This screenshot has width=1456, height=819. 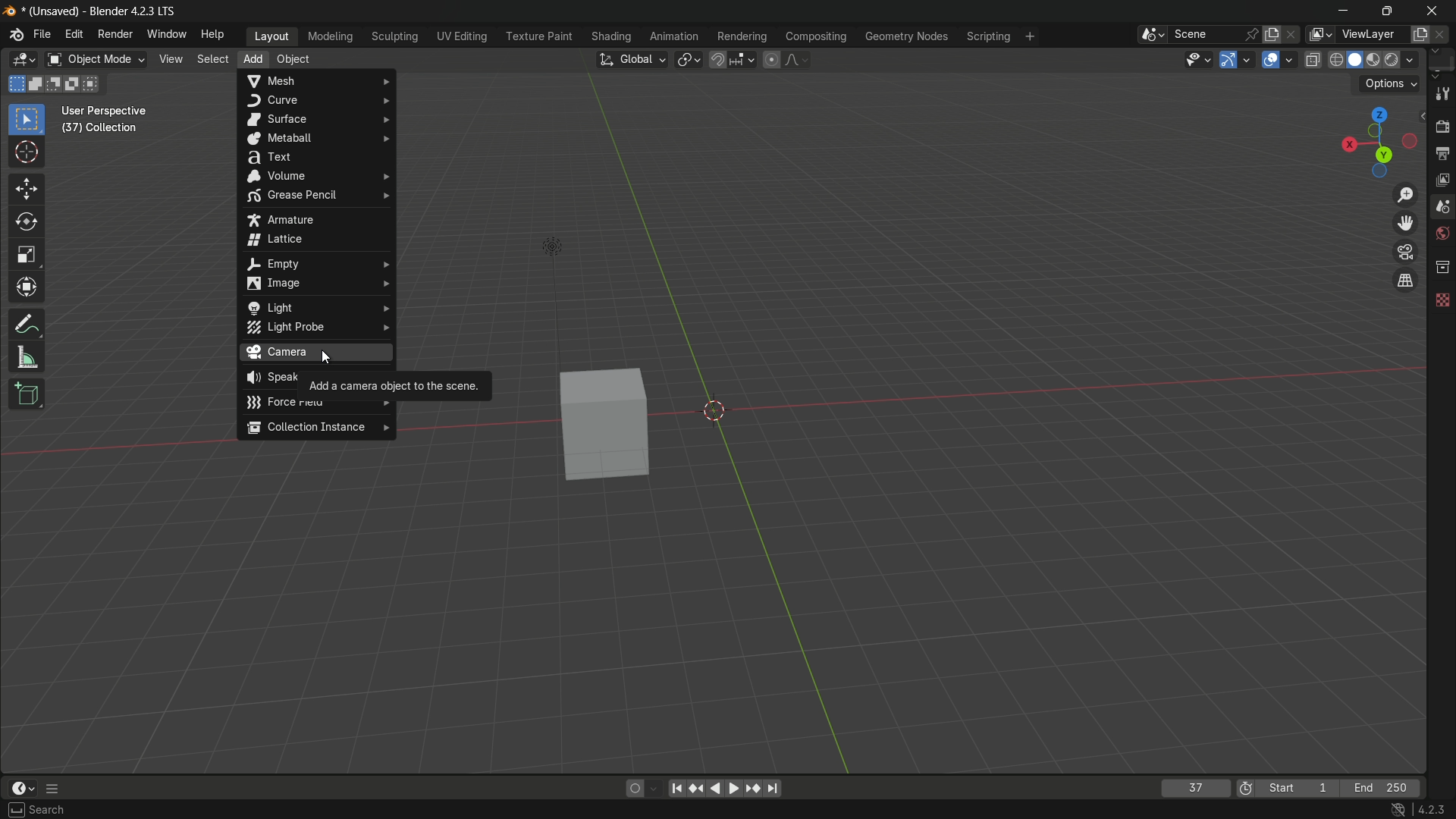 I want to click on grease pencil, so click(x=315, y=196).